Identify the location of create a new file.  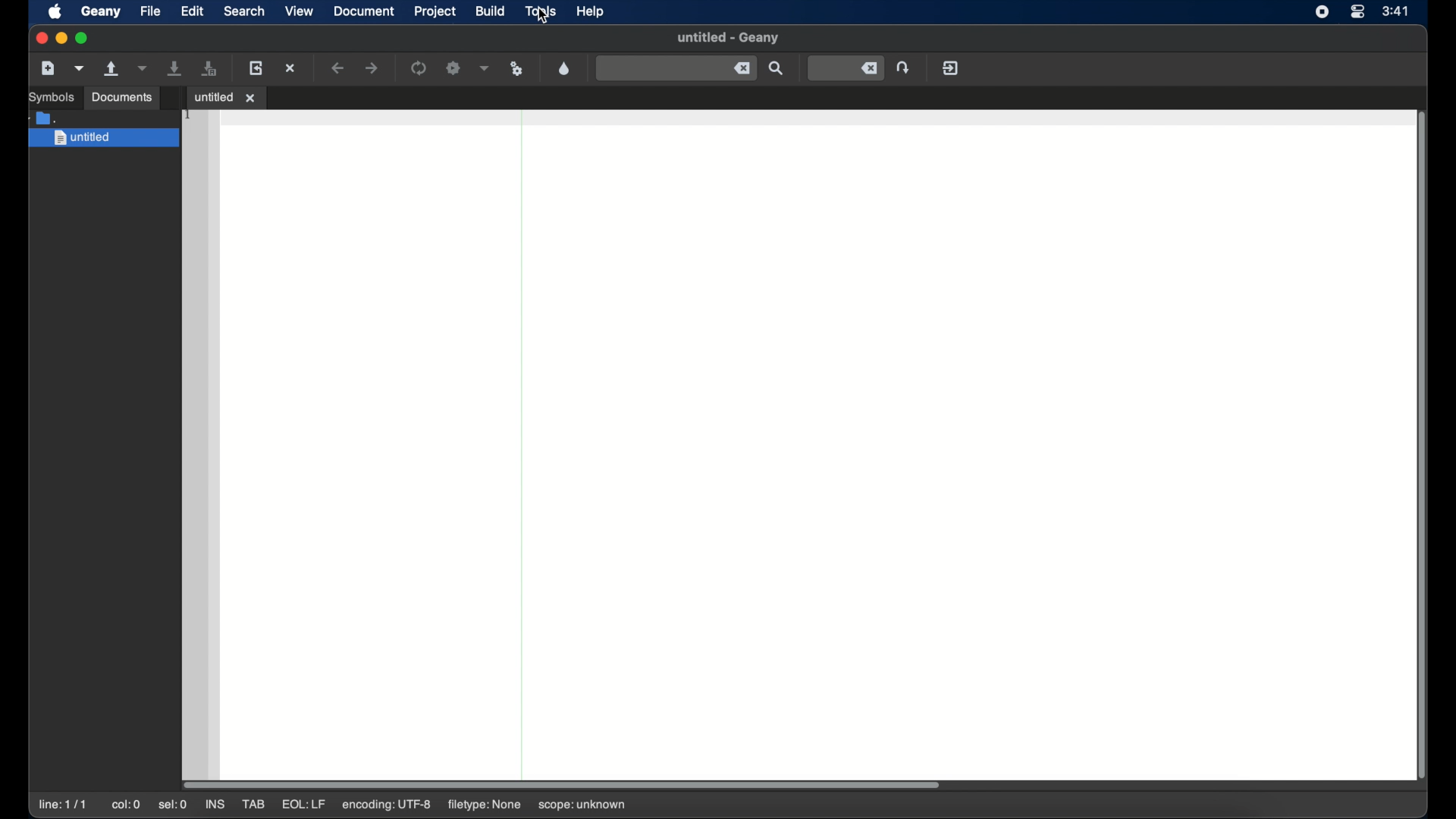
(48, 68).